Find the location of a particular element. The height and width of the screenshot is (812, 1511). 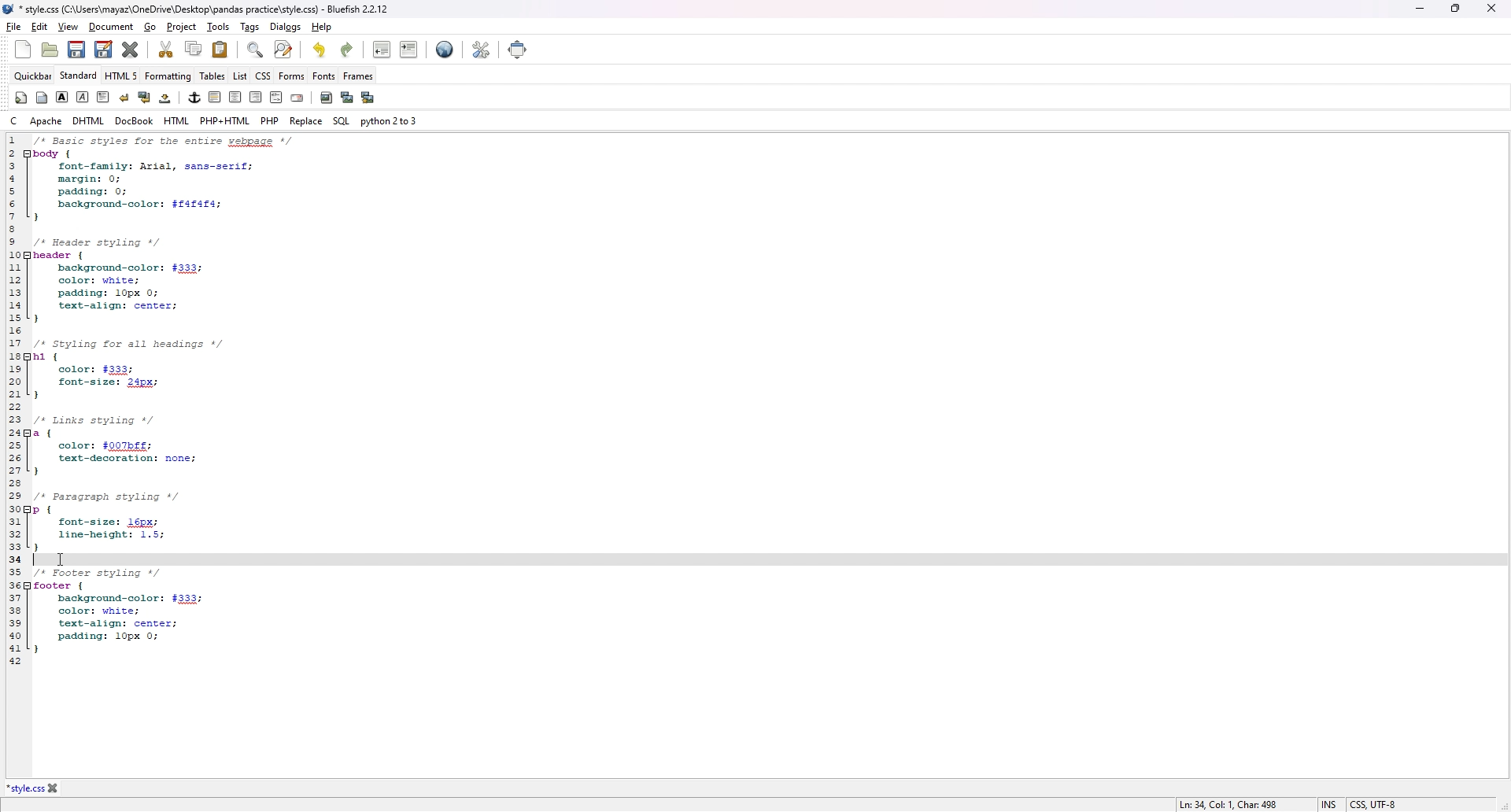

unindent is located at coordinates (382, 49).